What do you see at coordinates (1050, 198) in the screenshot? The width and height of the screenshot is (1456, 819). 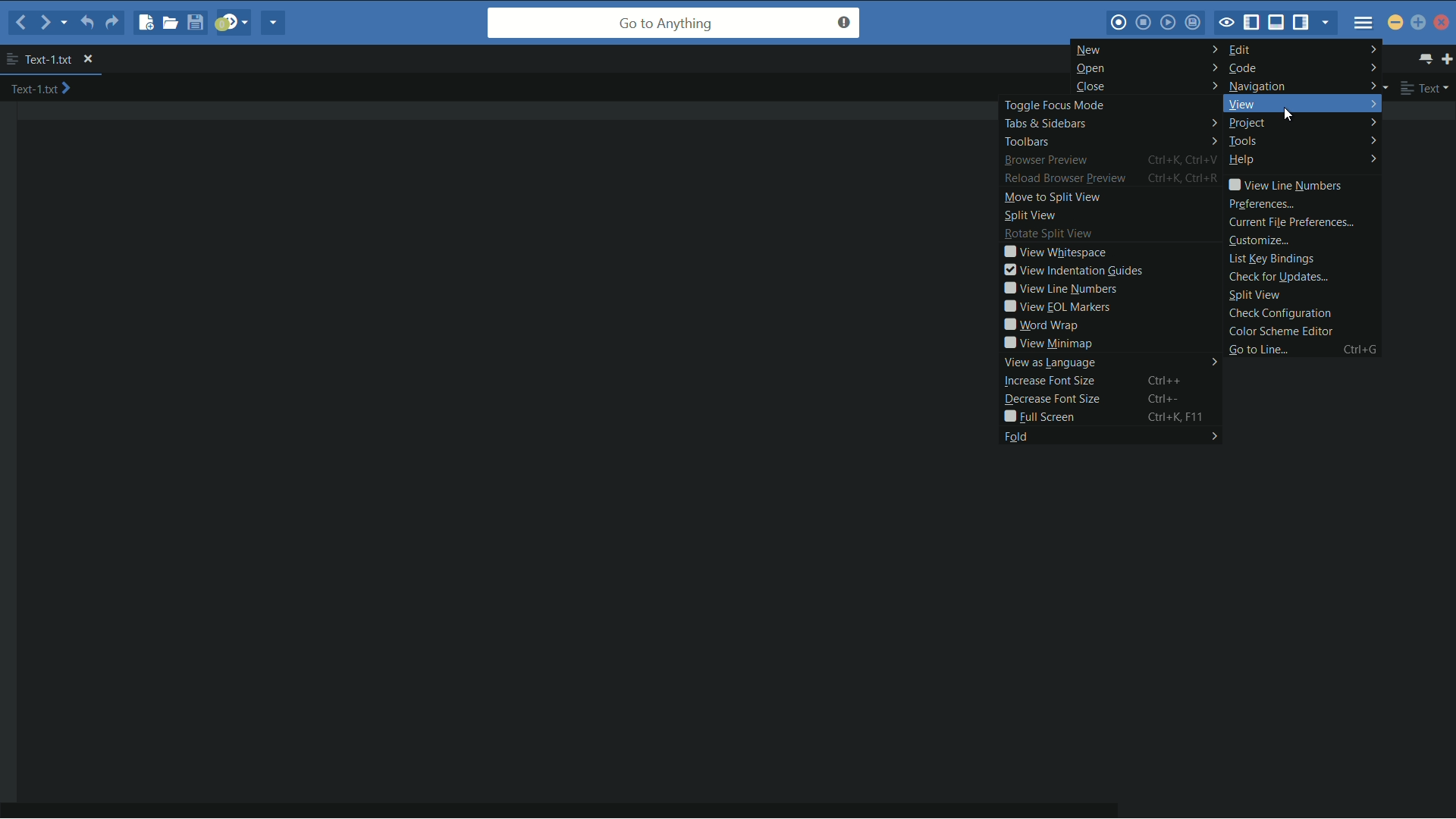 I see `move to split view` at bounding box center [1050, 198].